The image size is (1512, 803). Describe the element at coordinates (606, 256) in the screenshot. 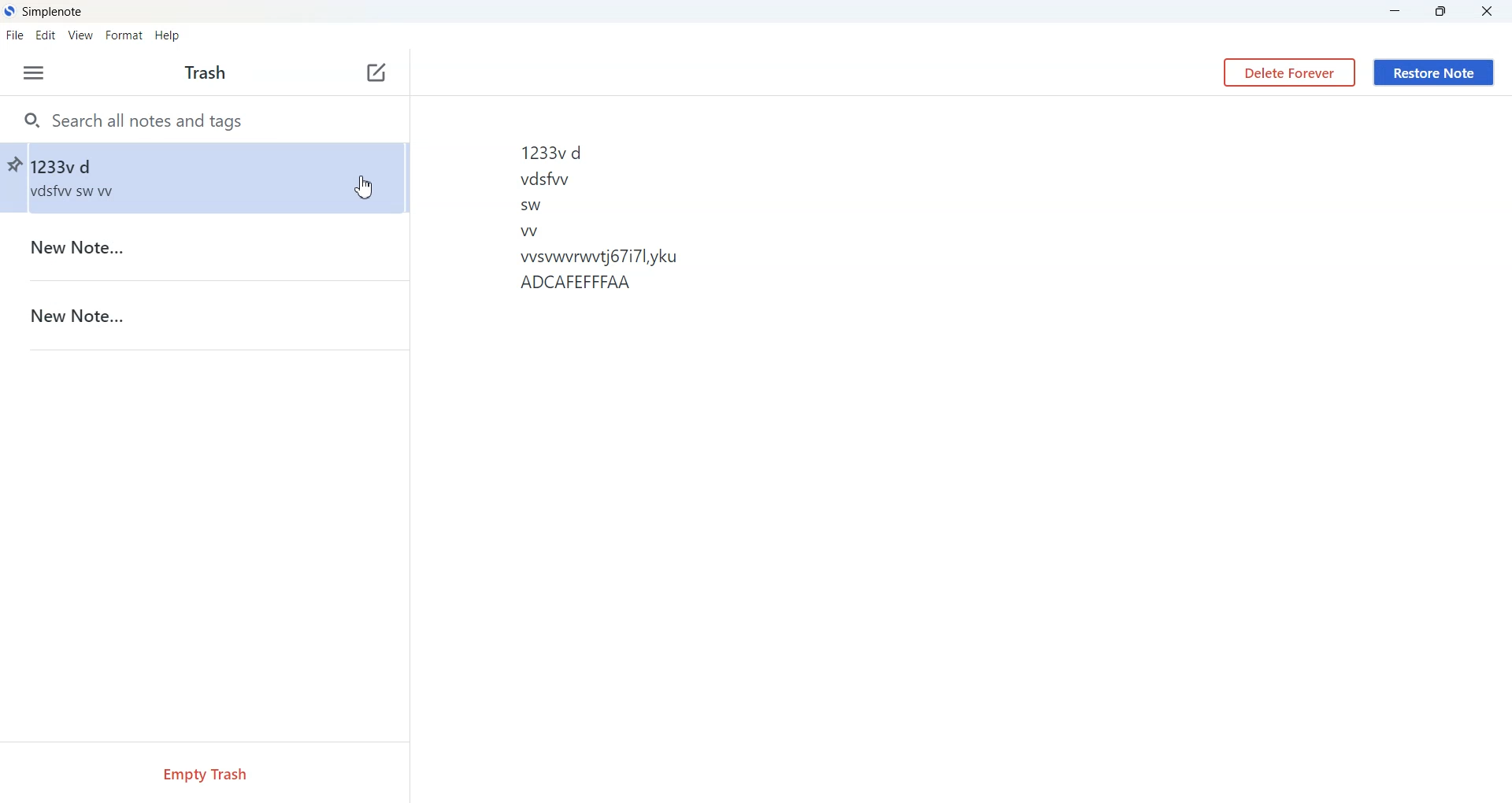

I see `wsvwvrwvtj67i7l,yku` at that location.